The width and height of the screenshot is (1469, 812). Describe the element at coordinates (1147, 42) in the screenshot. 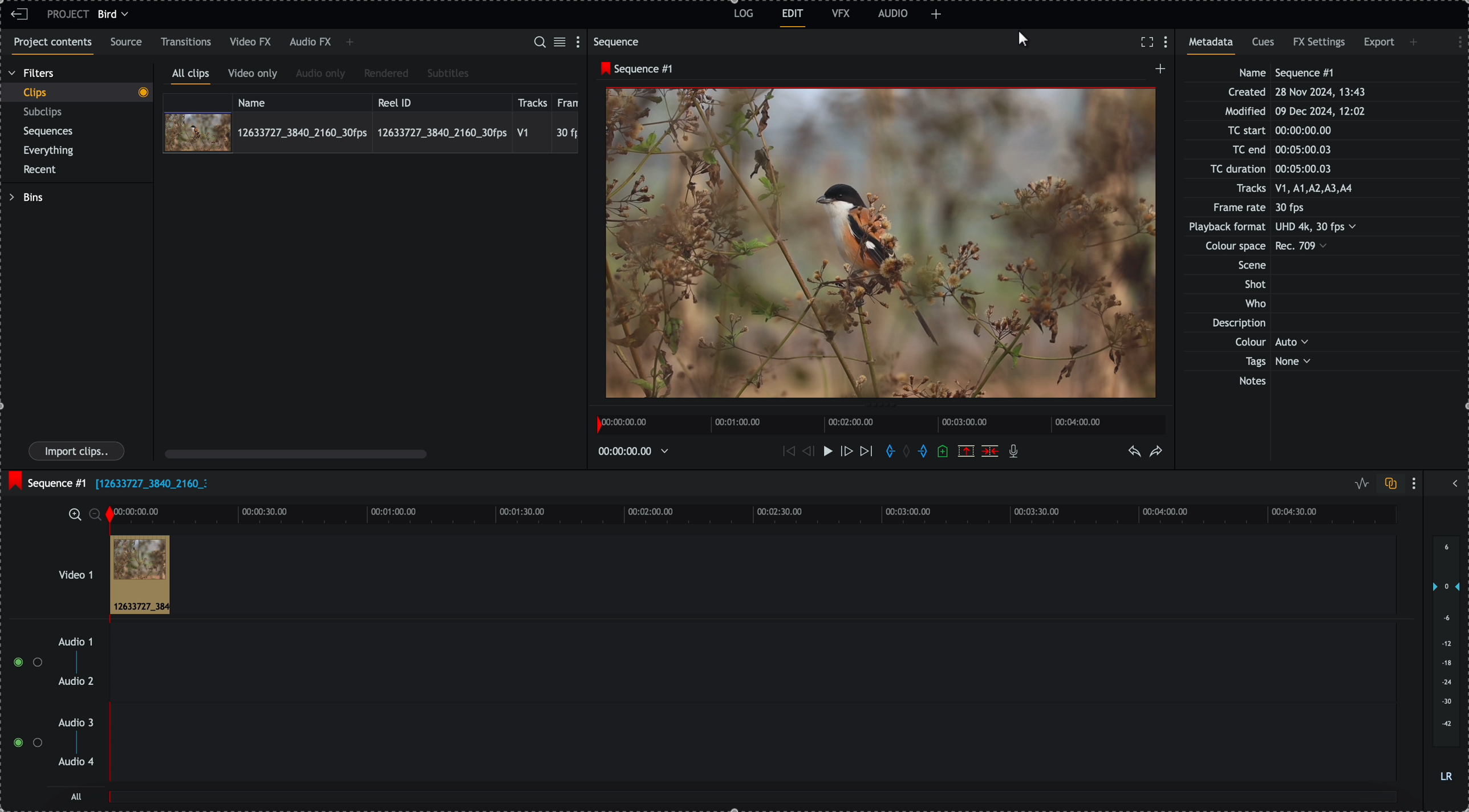

I see `fullscreen` at that location.